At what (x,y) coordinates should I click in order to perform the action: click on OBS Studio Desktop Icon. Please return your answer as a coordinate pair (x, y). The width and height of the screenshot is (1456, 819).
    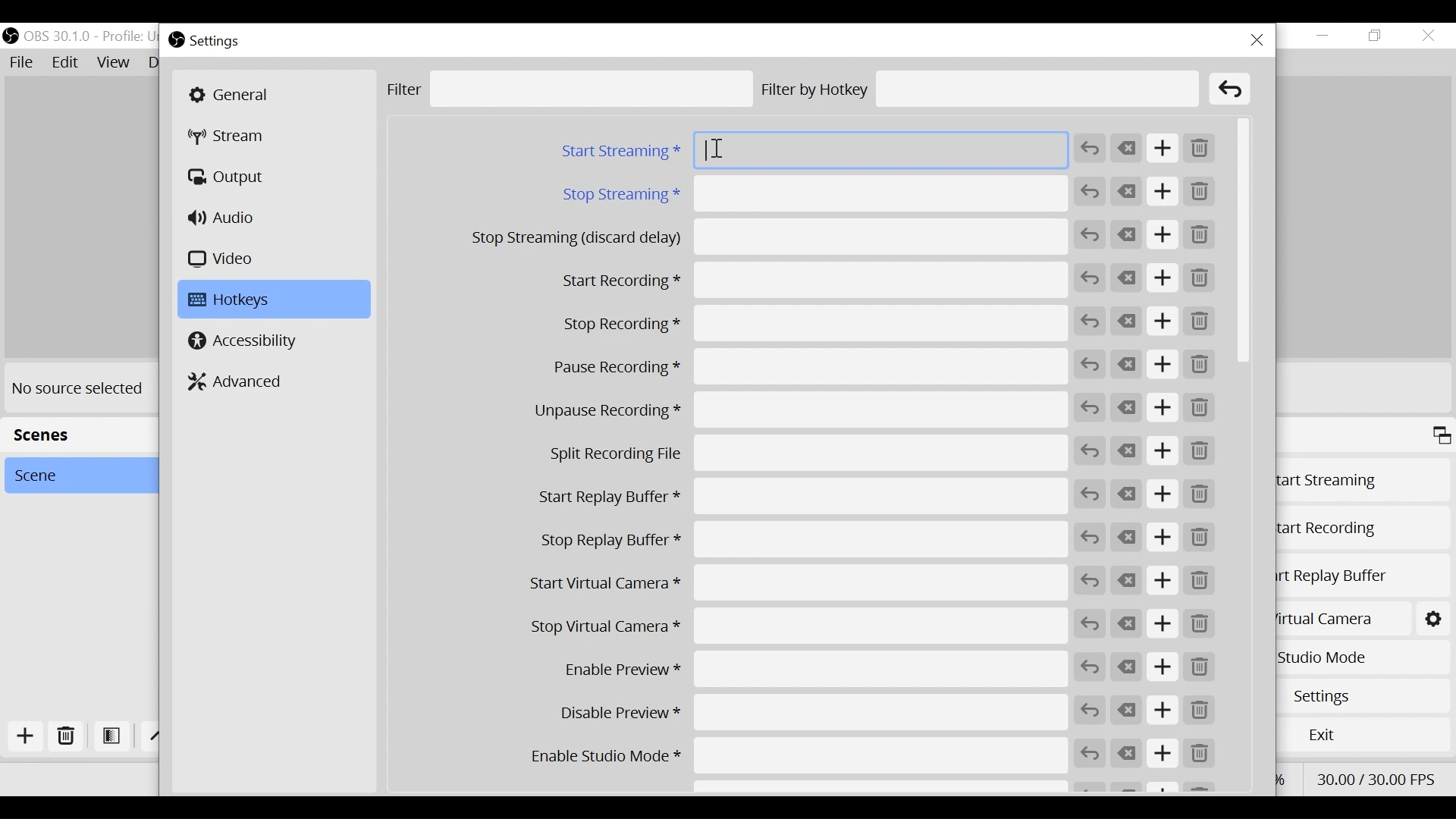
    Looking at the image, I should click on (11, 36).